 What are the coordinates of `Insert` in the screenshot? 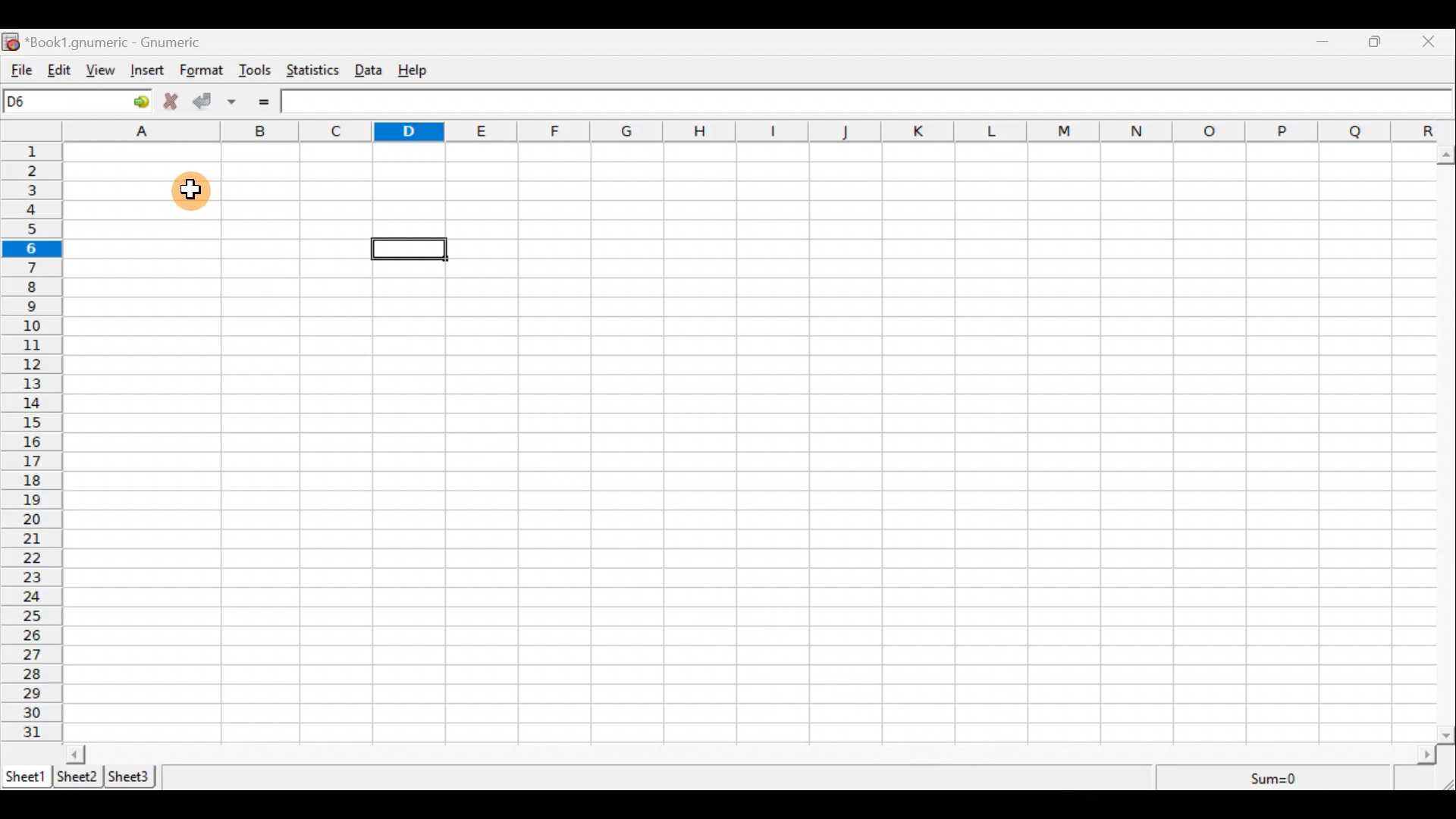 It's located at (149, 72).